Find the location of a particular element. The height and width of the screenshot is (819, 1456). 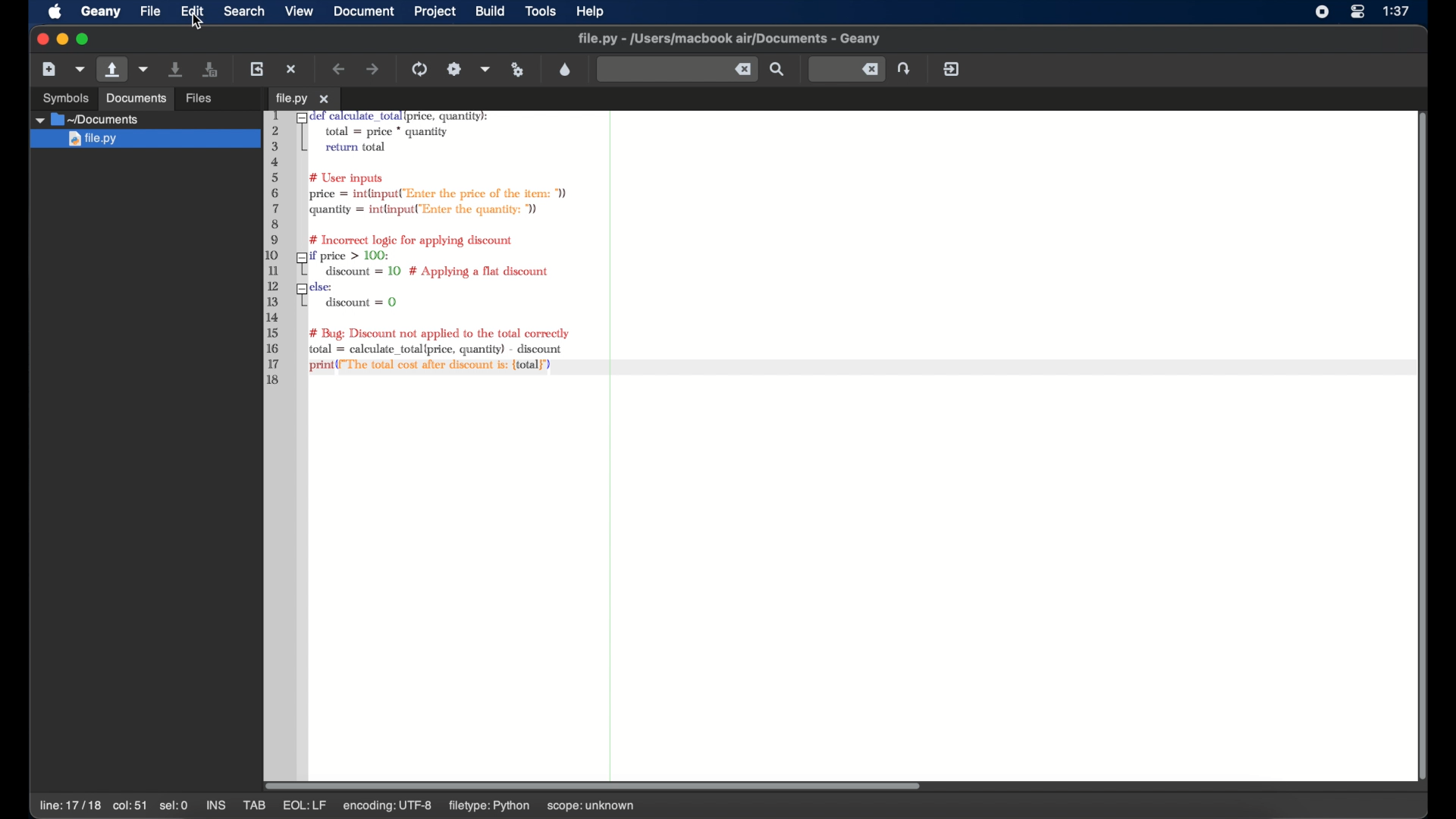

tab is located at coordinates (255, 805).